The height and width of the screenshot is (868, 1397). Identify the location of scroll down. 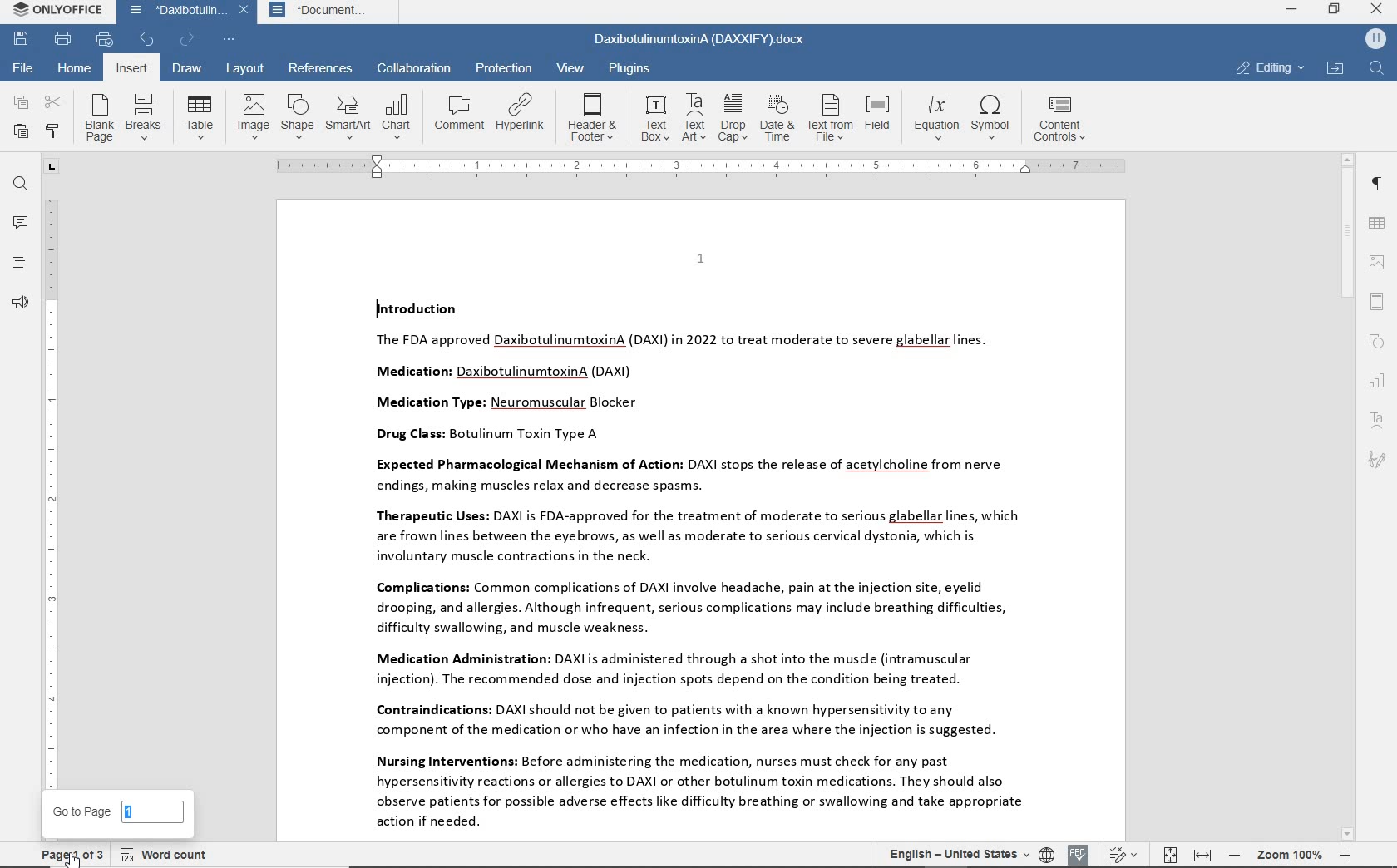
(1348, 835).